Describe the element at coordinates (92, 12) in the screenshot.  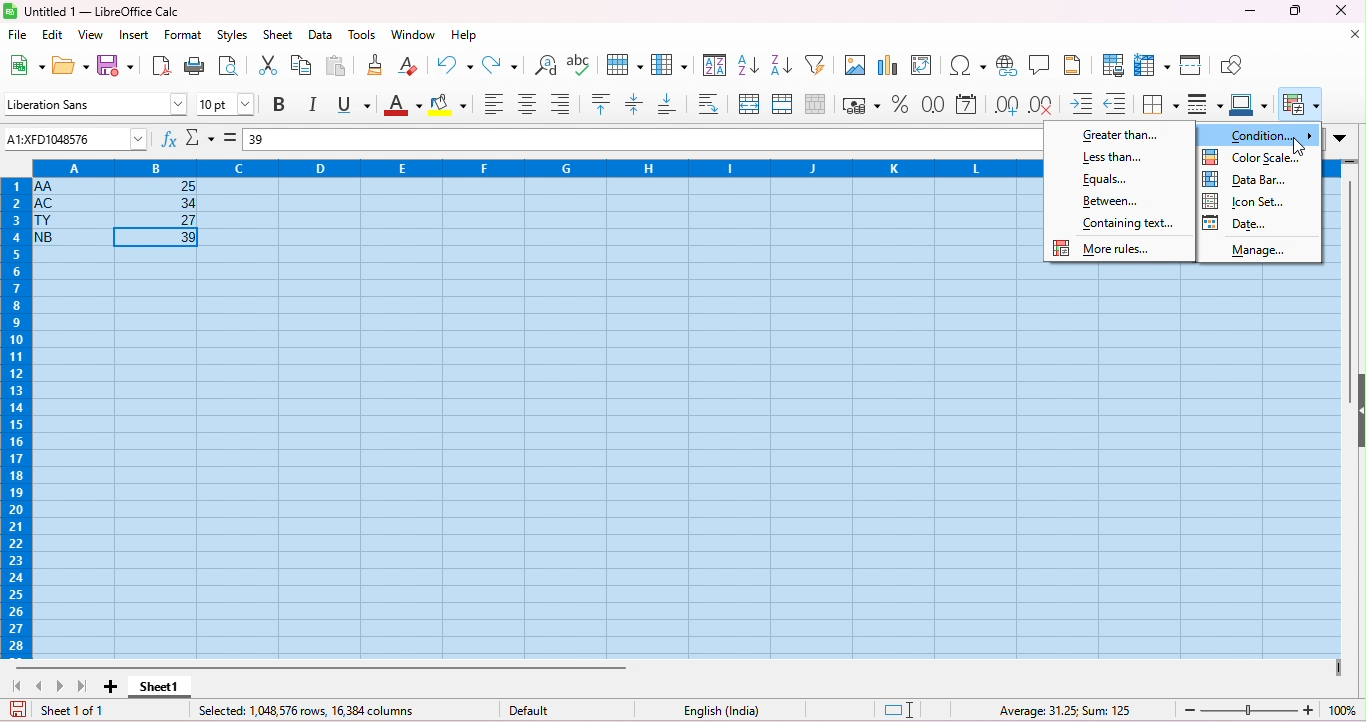
I see `title` at that location.